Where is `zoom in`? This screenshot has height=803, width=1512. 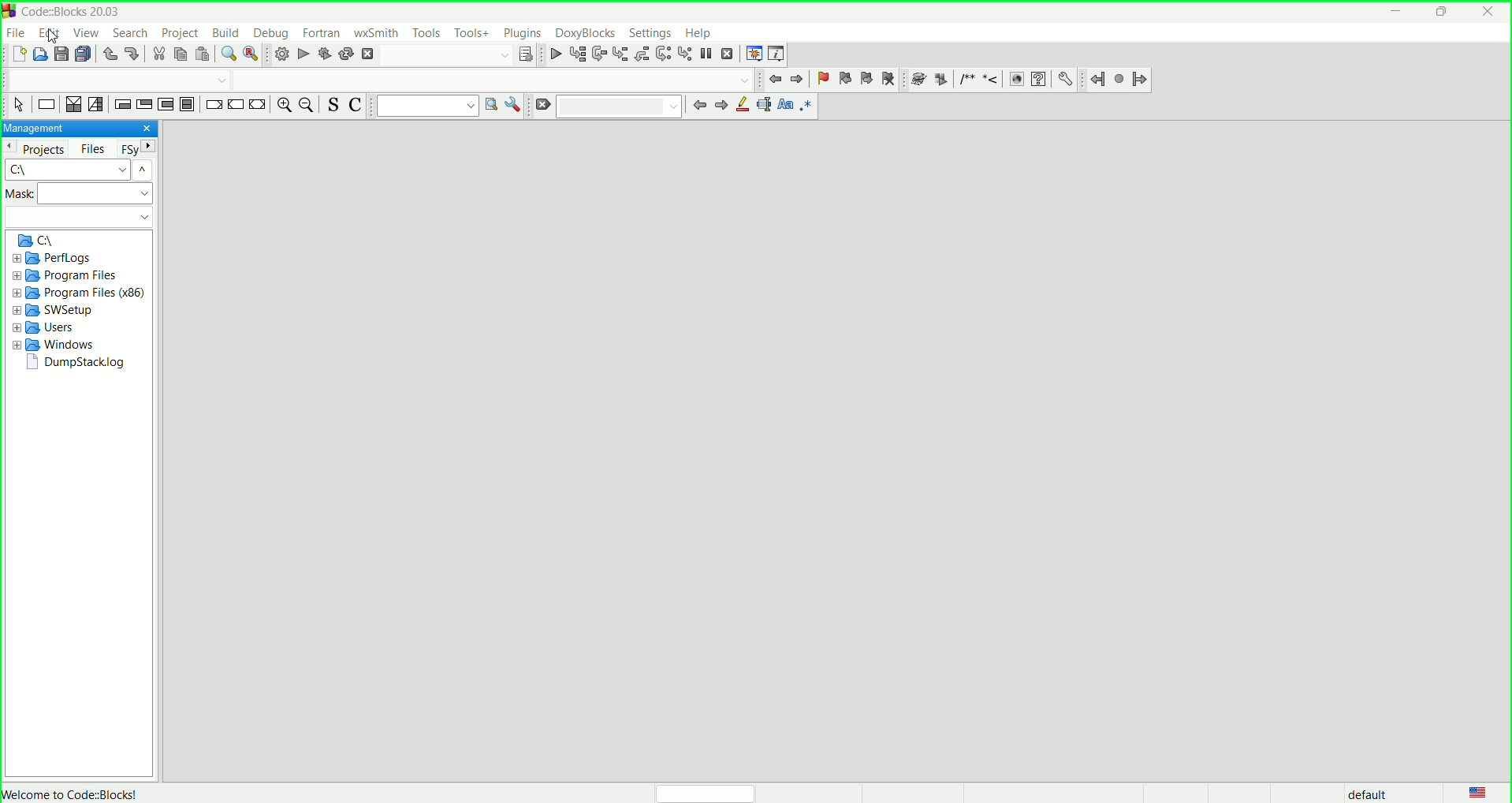 zoom in is located at coordinates (282, 105).